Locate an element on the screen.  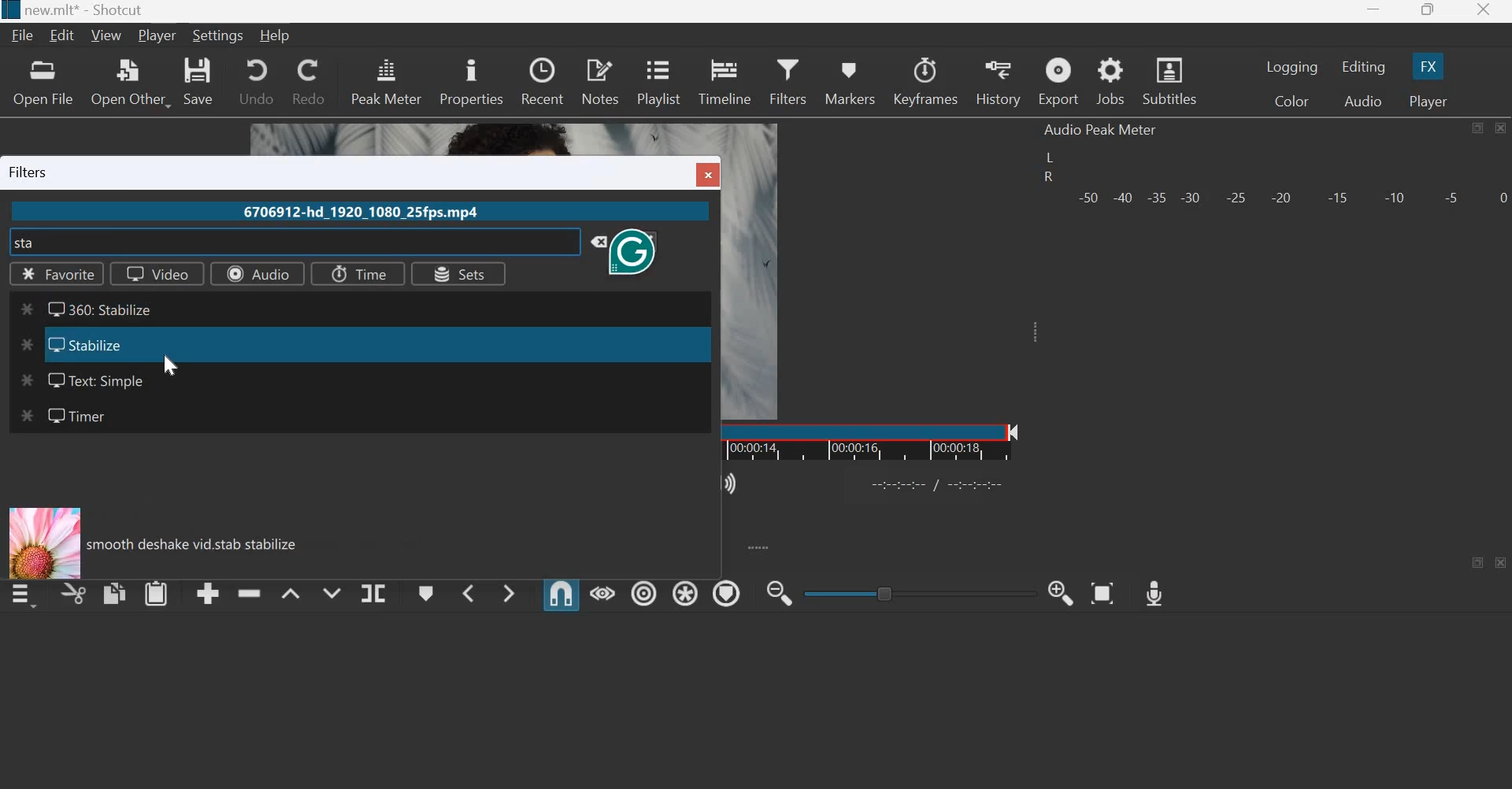
Color is located at coordinates (1291, 101).